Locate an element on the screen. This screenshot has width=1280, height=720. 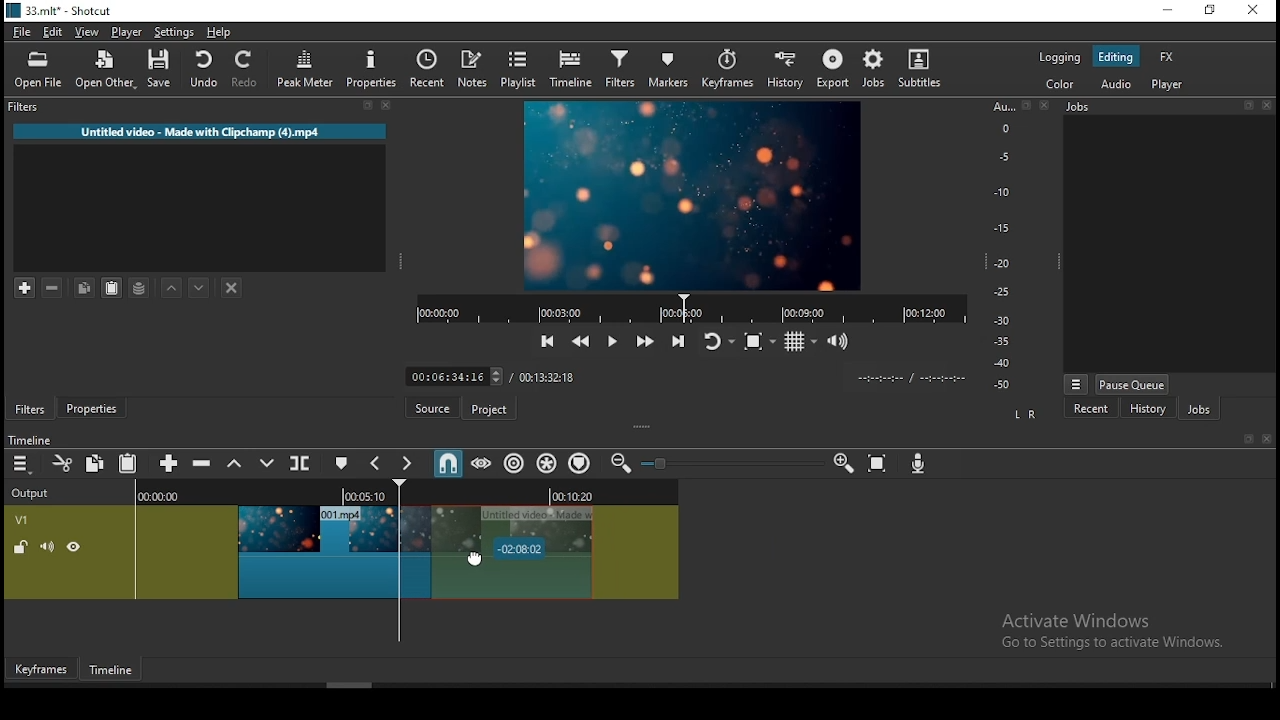
append is located at coordinates (170, 464).